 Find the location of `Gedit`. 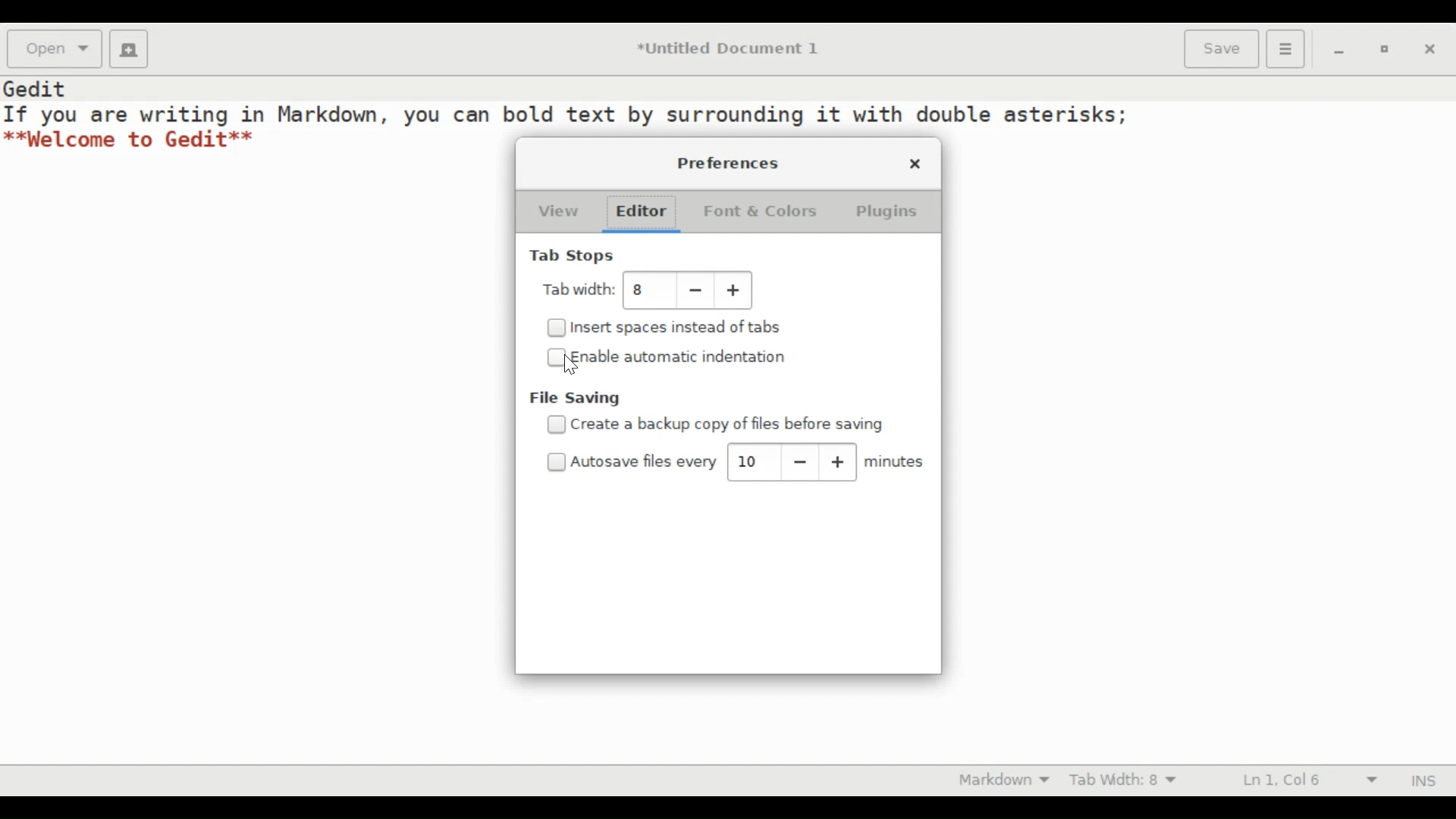

Gedit is located at coordinates (36, 86).